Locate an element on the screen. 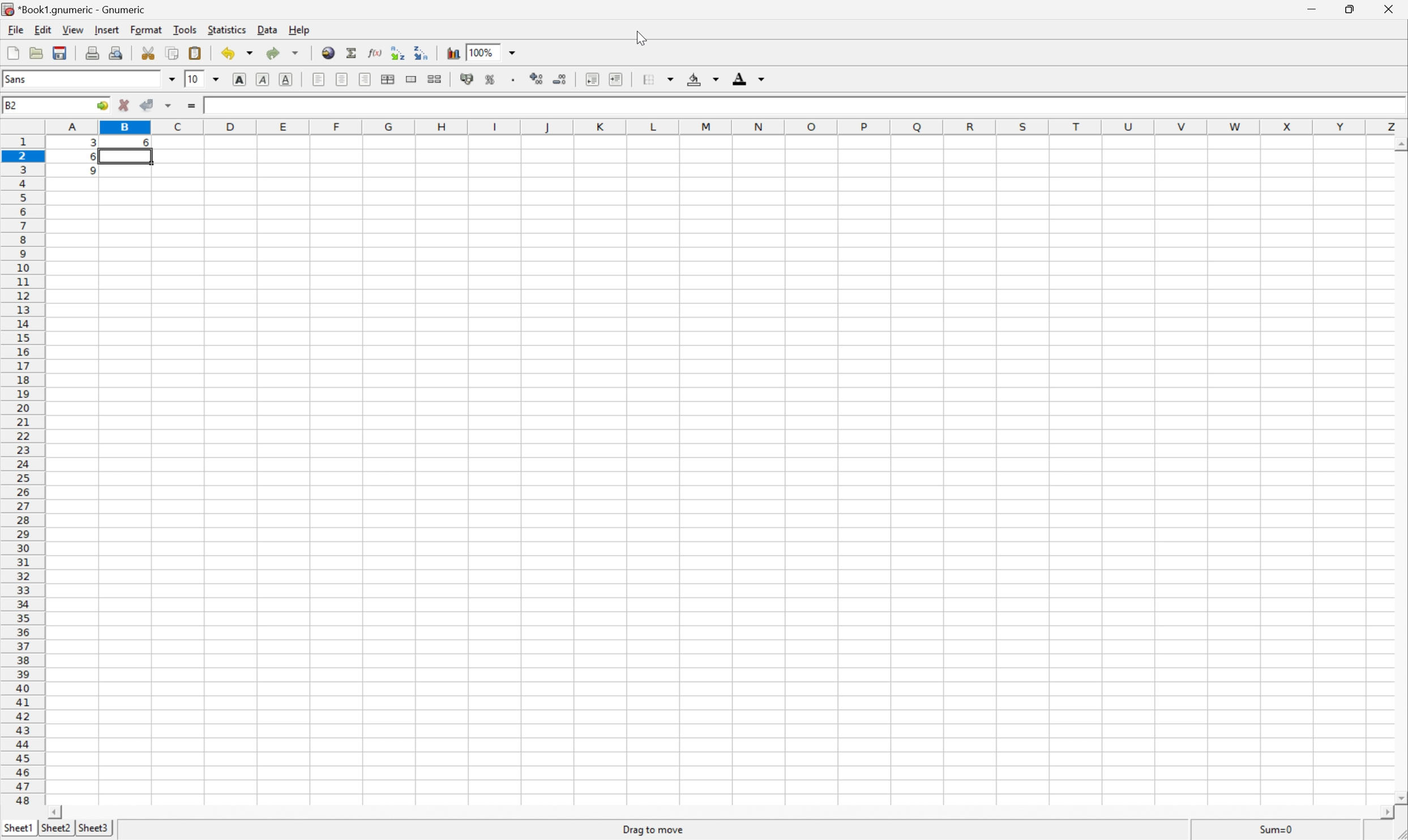  Format the selection as percentage is located at coordinates (489, 80).